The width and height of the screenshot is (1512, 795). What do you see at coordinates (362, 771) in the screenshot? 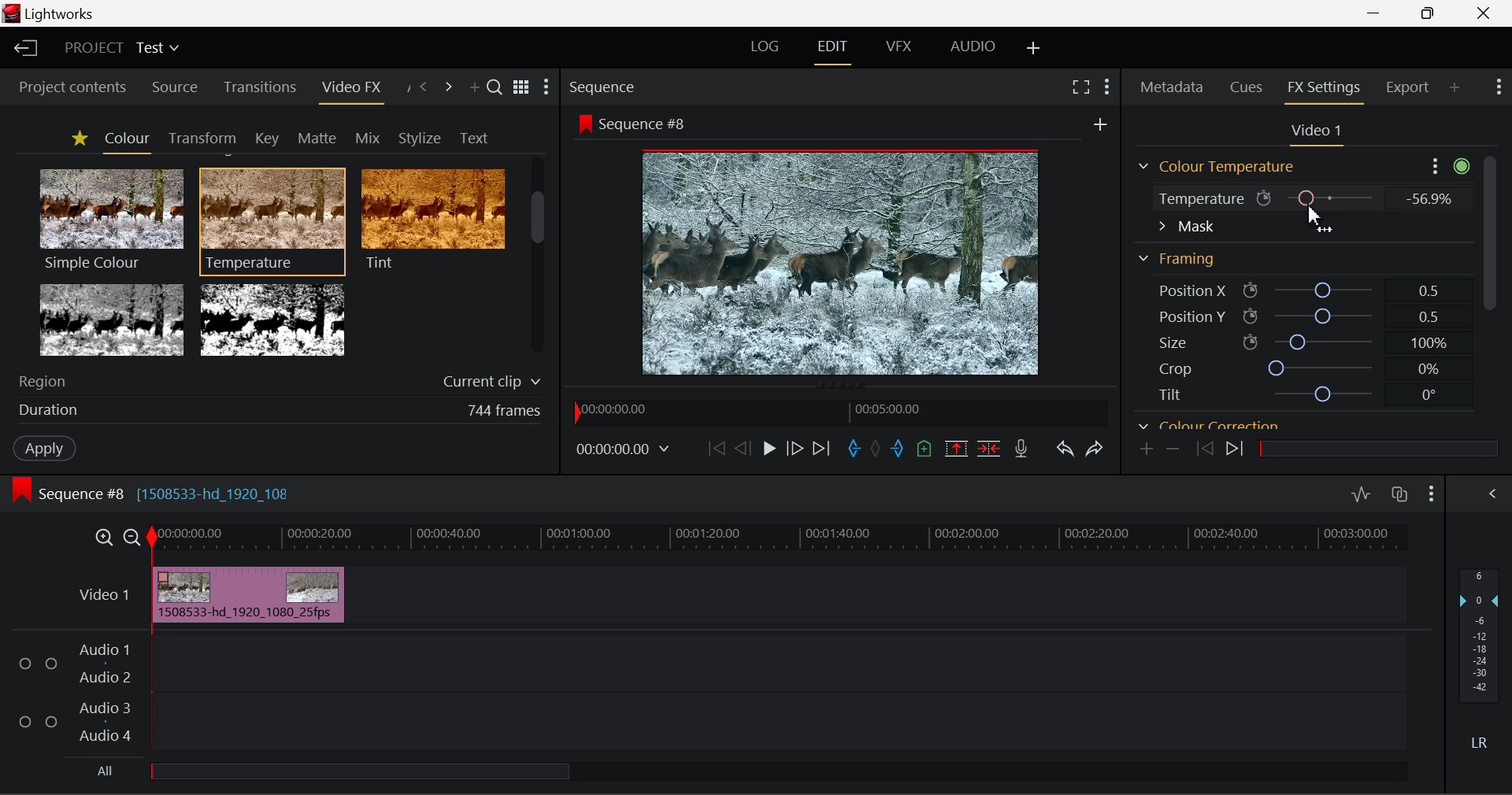
I see `all Audio` at bounding box center [362, 771].